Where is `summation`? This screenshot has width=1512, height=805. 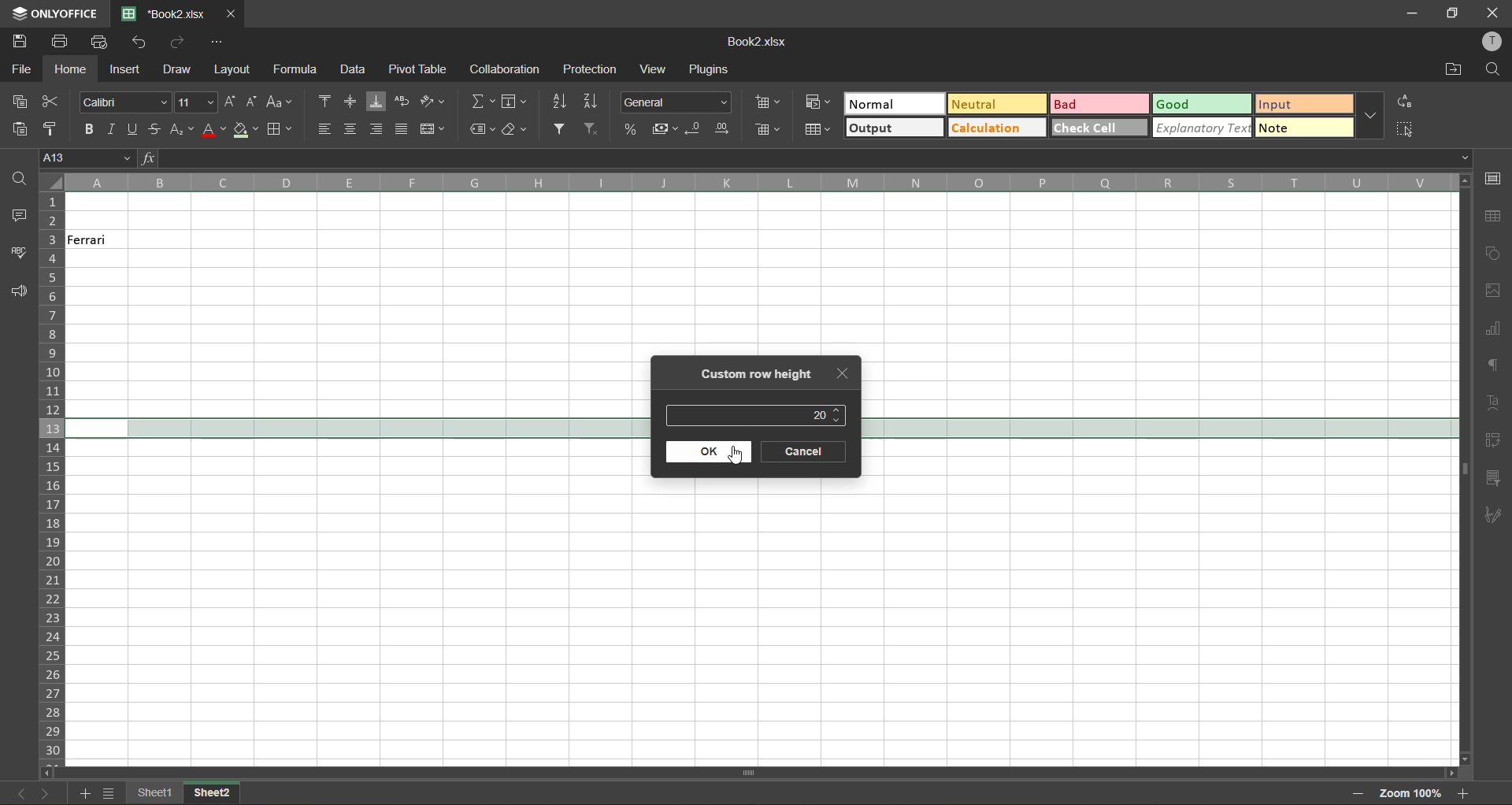 summation is located at coordinates (482, 101).